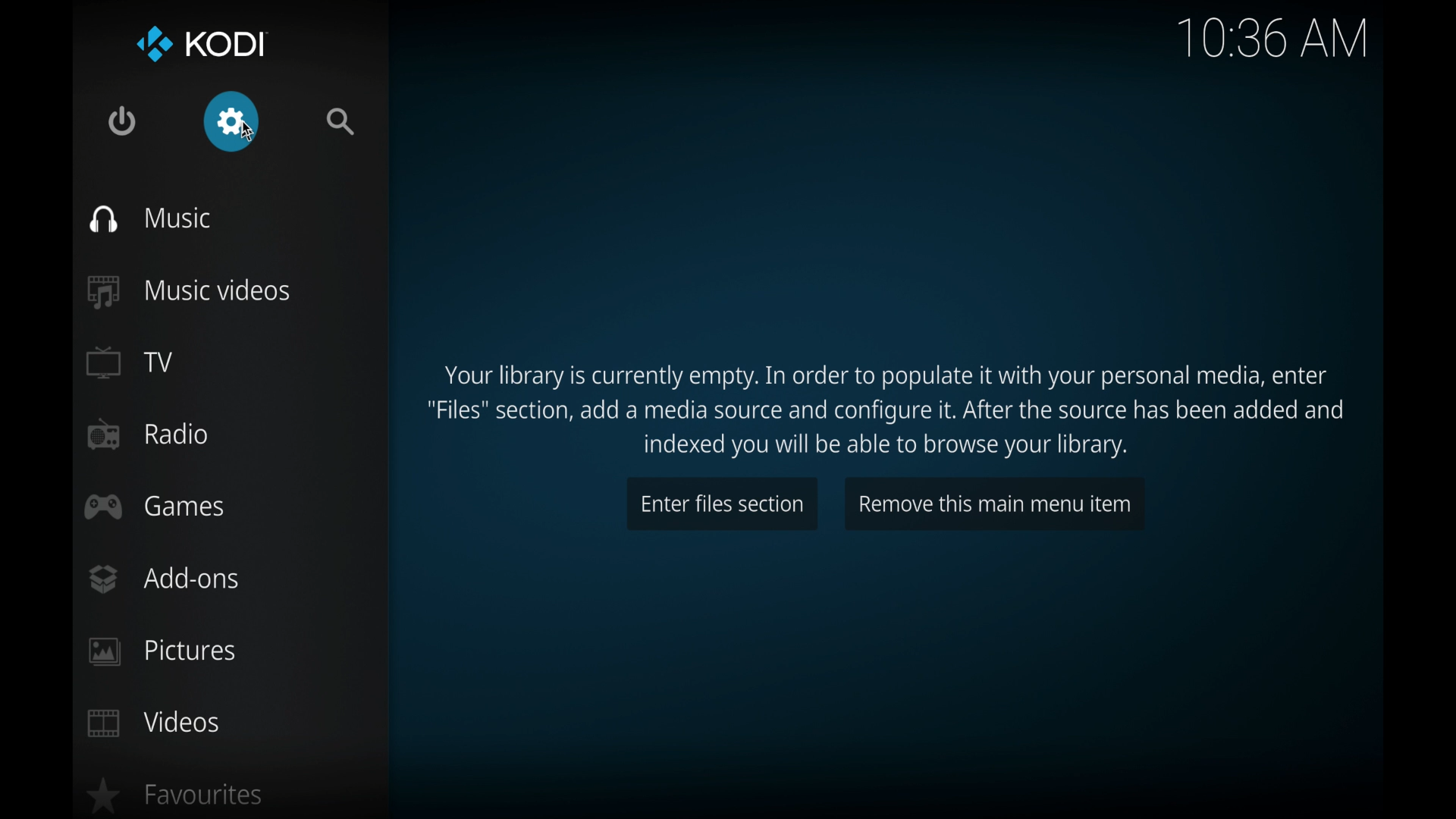  Describe the element at coordinates (167, 652) in the screenshot. I see `pictures` at that location.